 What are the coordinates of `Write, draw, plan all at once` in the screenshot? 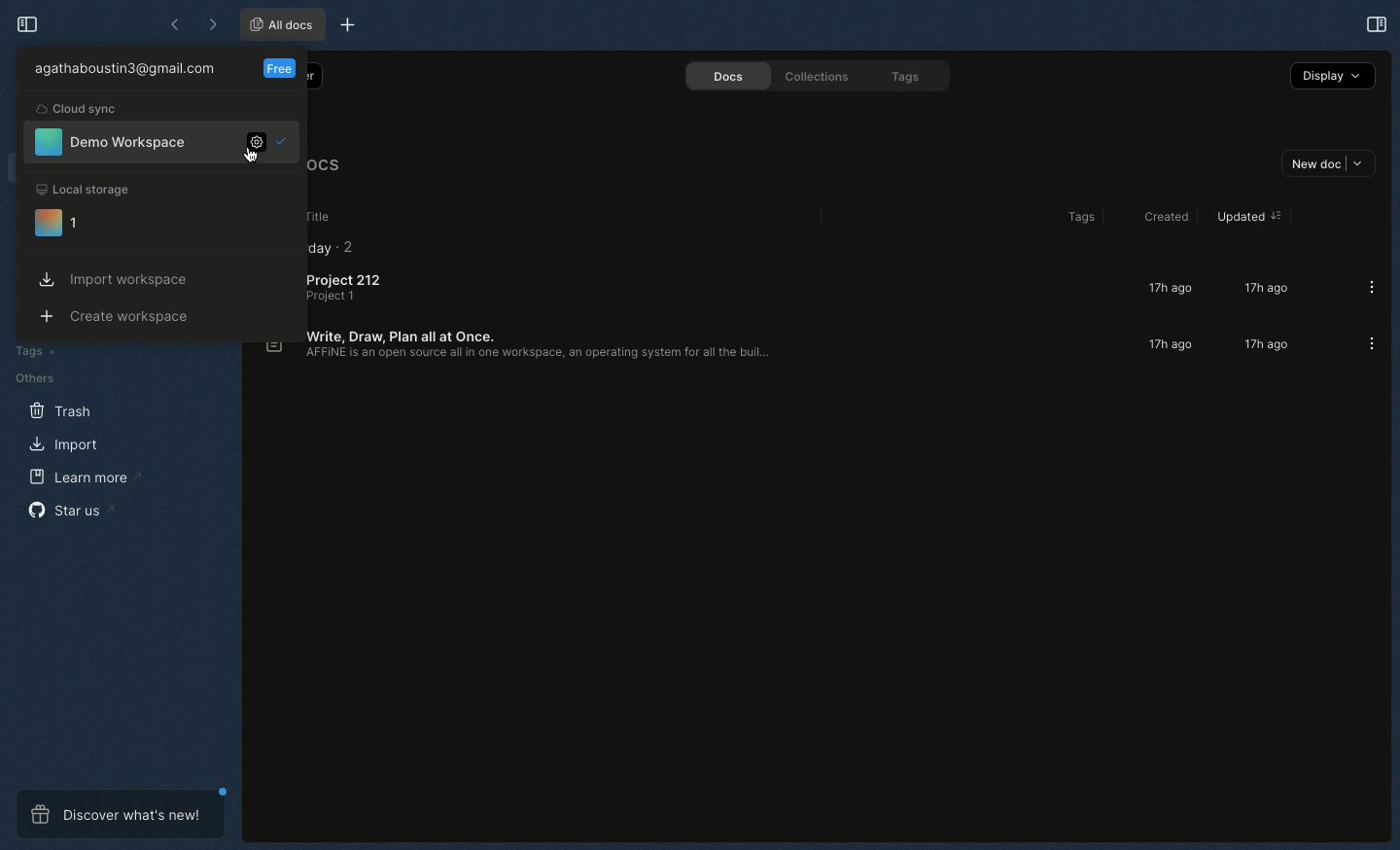 It's located at (516, 347).